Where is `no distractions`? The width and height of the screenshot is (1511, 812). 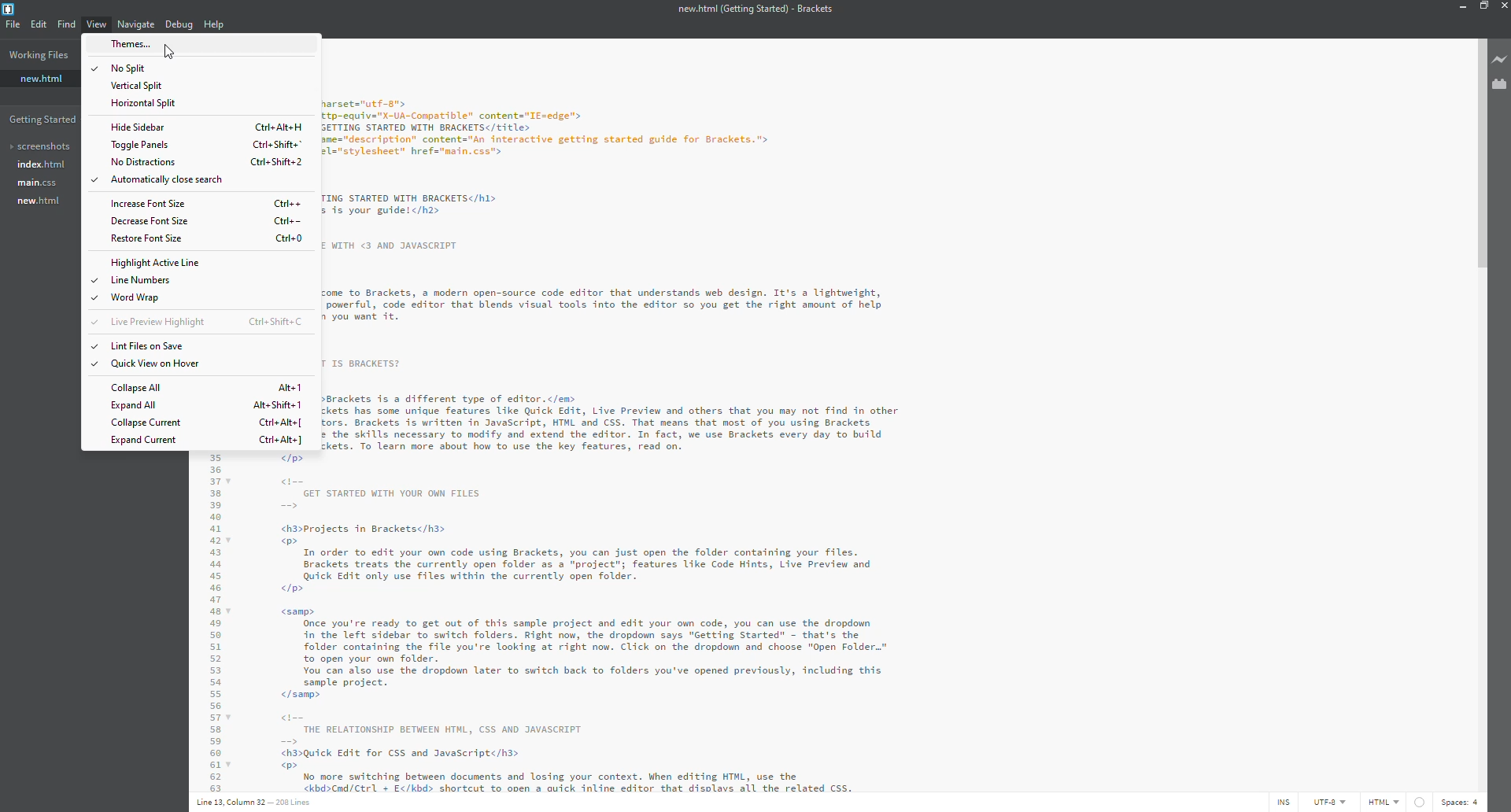 no distractions is located at coordinates (142, 162).